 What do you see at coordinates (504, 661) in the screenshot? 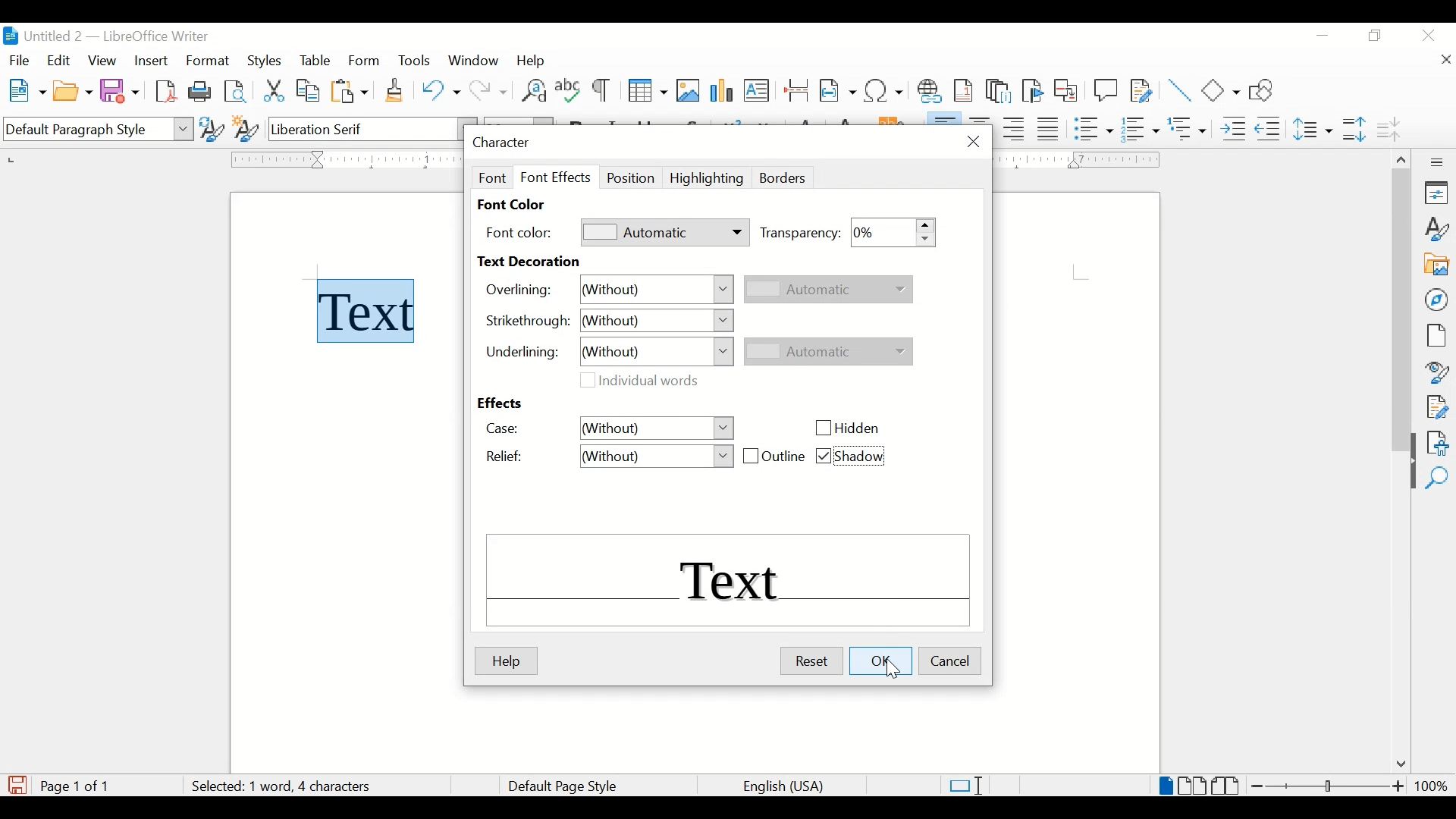
I see `help` at bounding box center [504, 661].